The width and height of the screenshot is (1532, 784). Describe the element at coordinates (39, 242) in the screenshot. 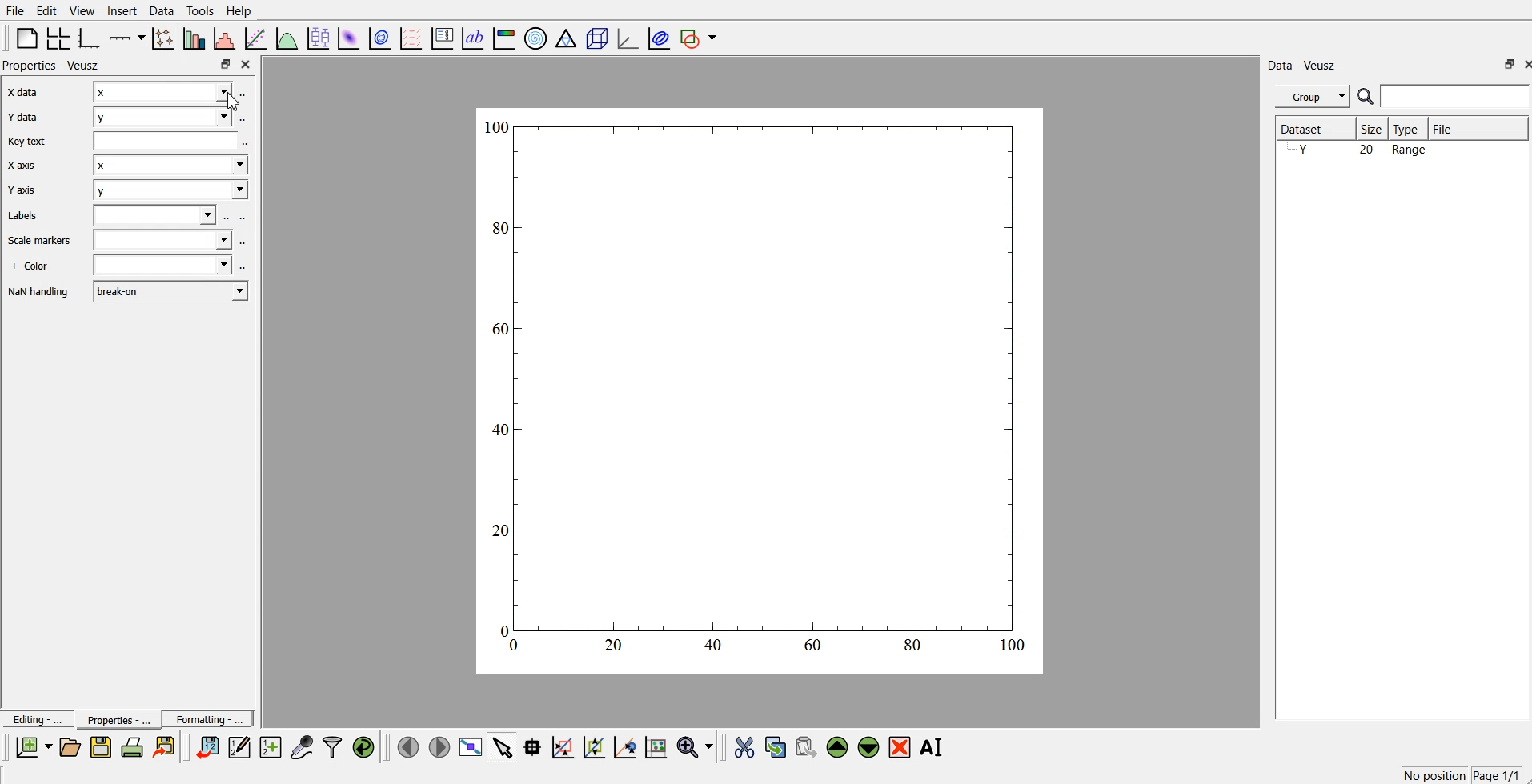

I see `| Scale markers` at that location.